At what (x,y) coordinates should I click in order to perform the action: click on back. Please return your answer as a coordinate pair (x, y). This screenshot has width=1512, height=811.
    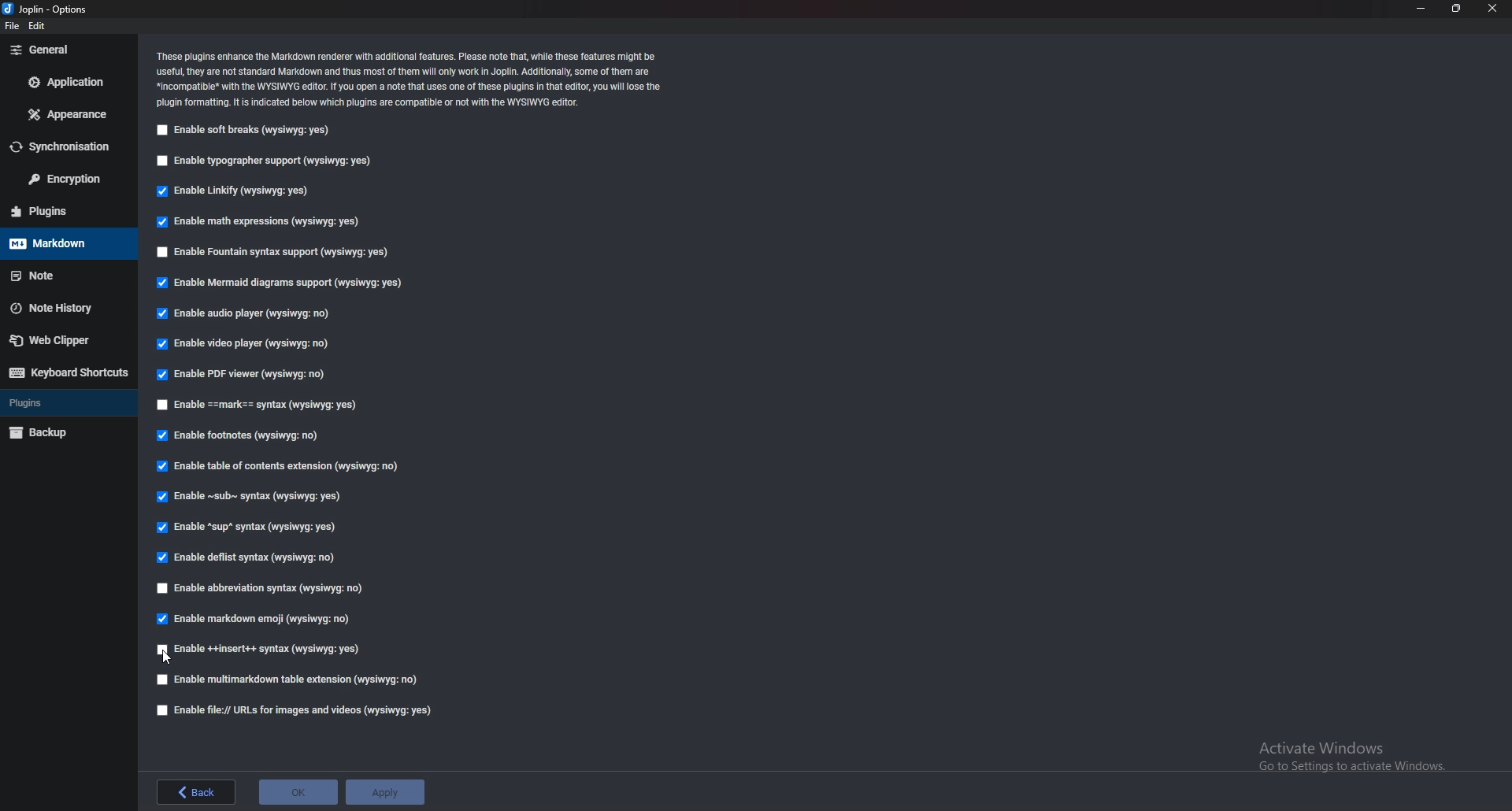
    Looking at the image, I should click on (195, 791).